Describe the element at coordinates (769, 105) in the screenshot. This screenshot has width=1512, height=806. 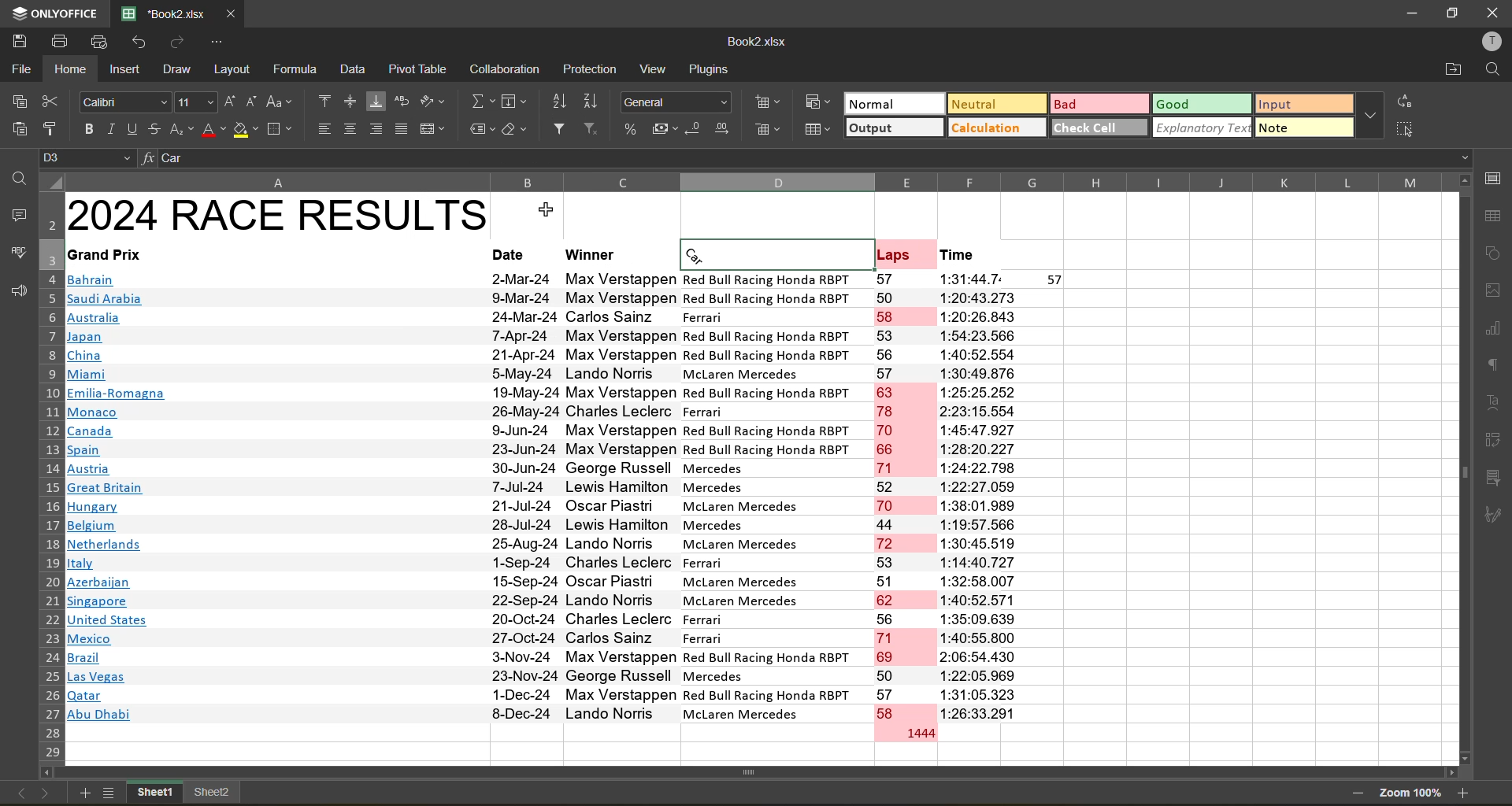
I see `insert cells` at that location.